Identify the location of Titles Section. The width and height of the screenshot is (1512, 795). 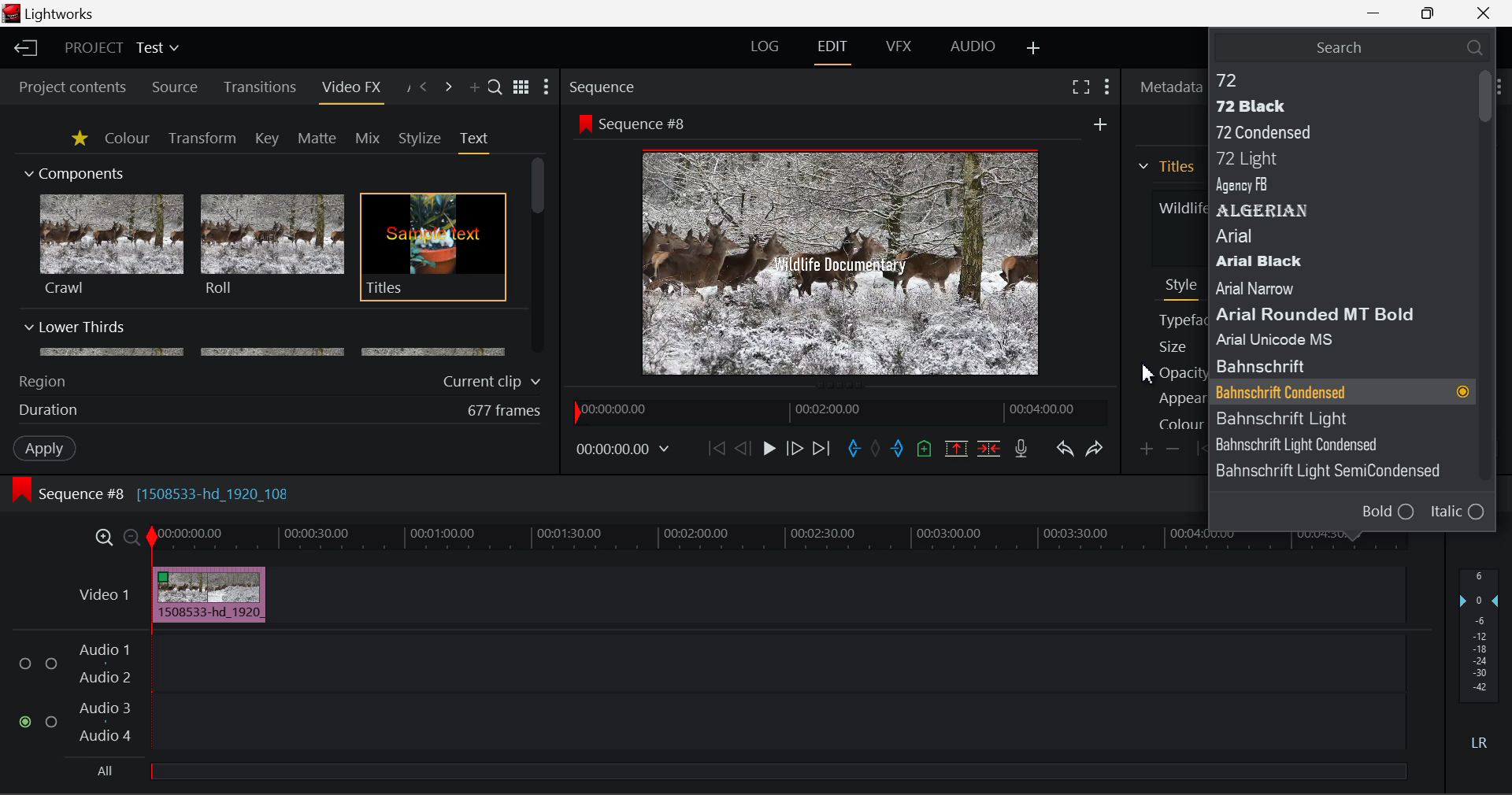
(1166, 166).